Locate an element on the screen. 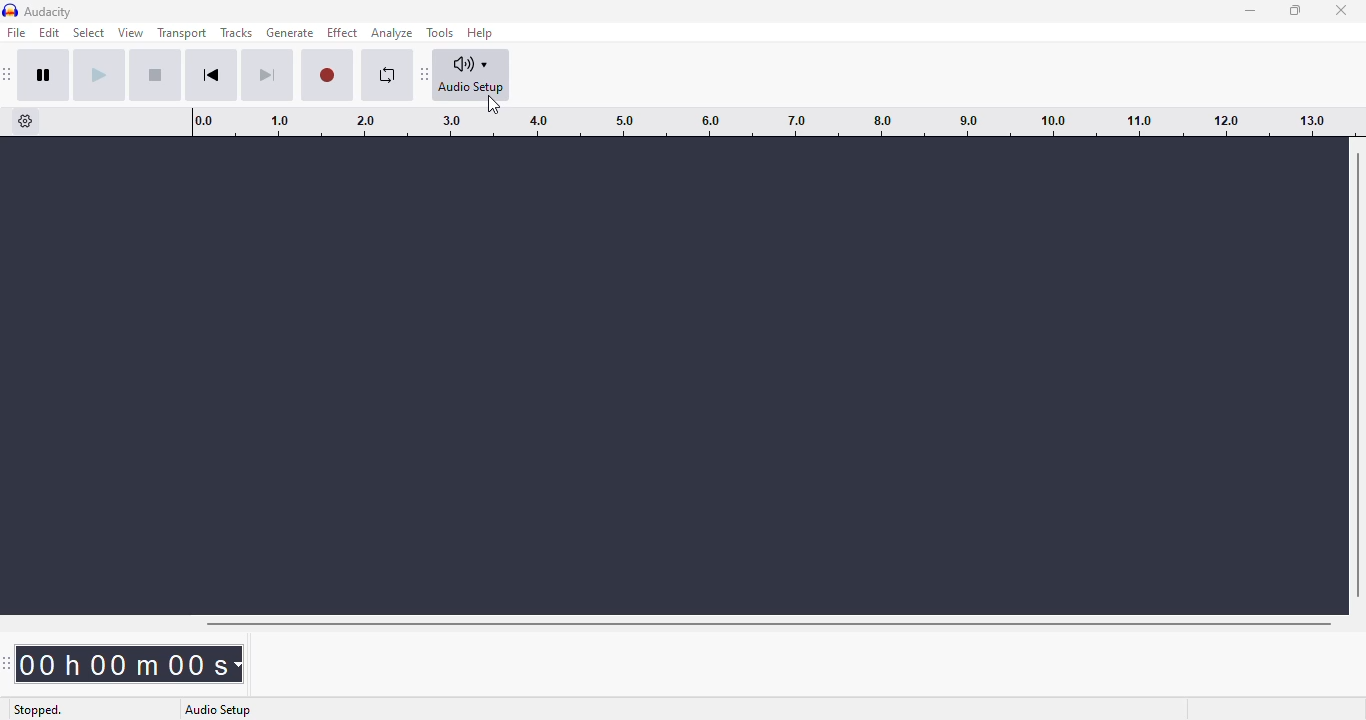 This screenshot has height=720, width=1366. logo is located at coordinates (10, 11).